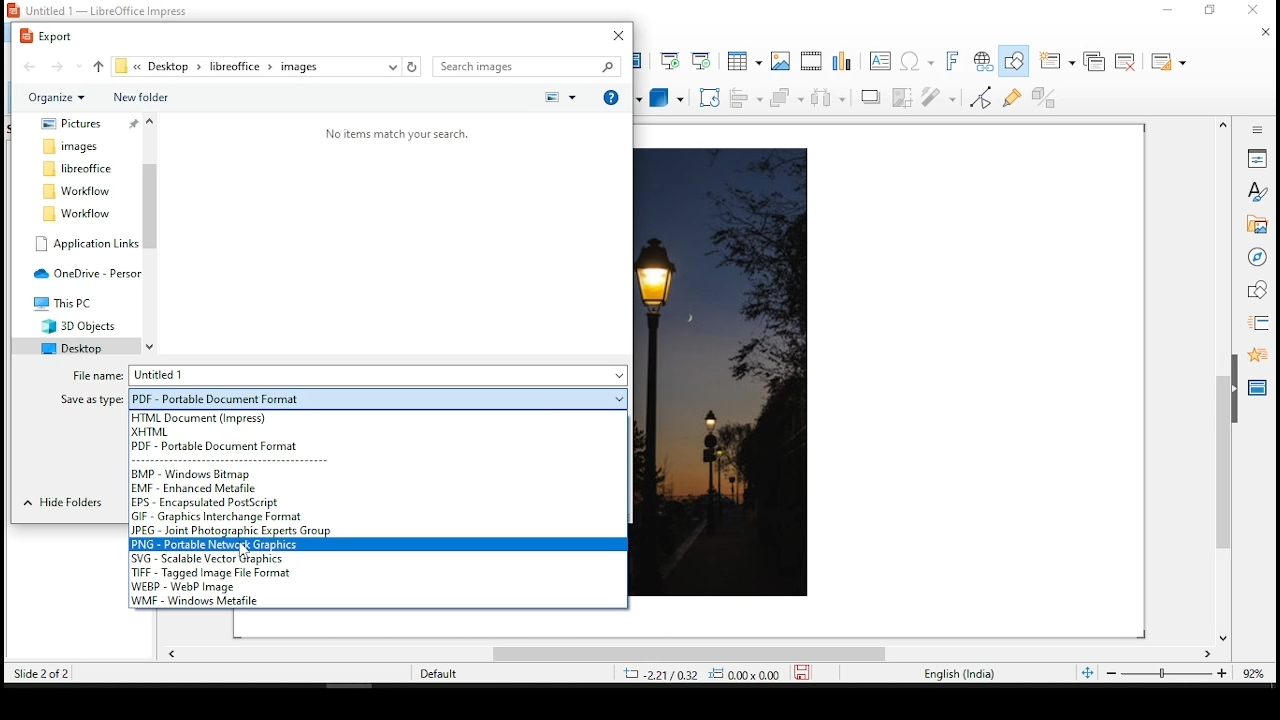 Image resolution: width=1280 pixels, height=720 pixels. I want to click on folder, so click(67, 302).